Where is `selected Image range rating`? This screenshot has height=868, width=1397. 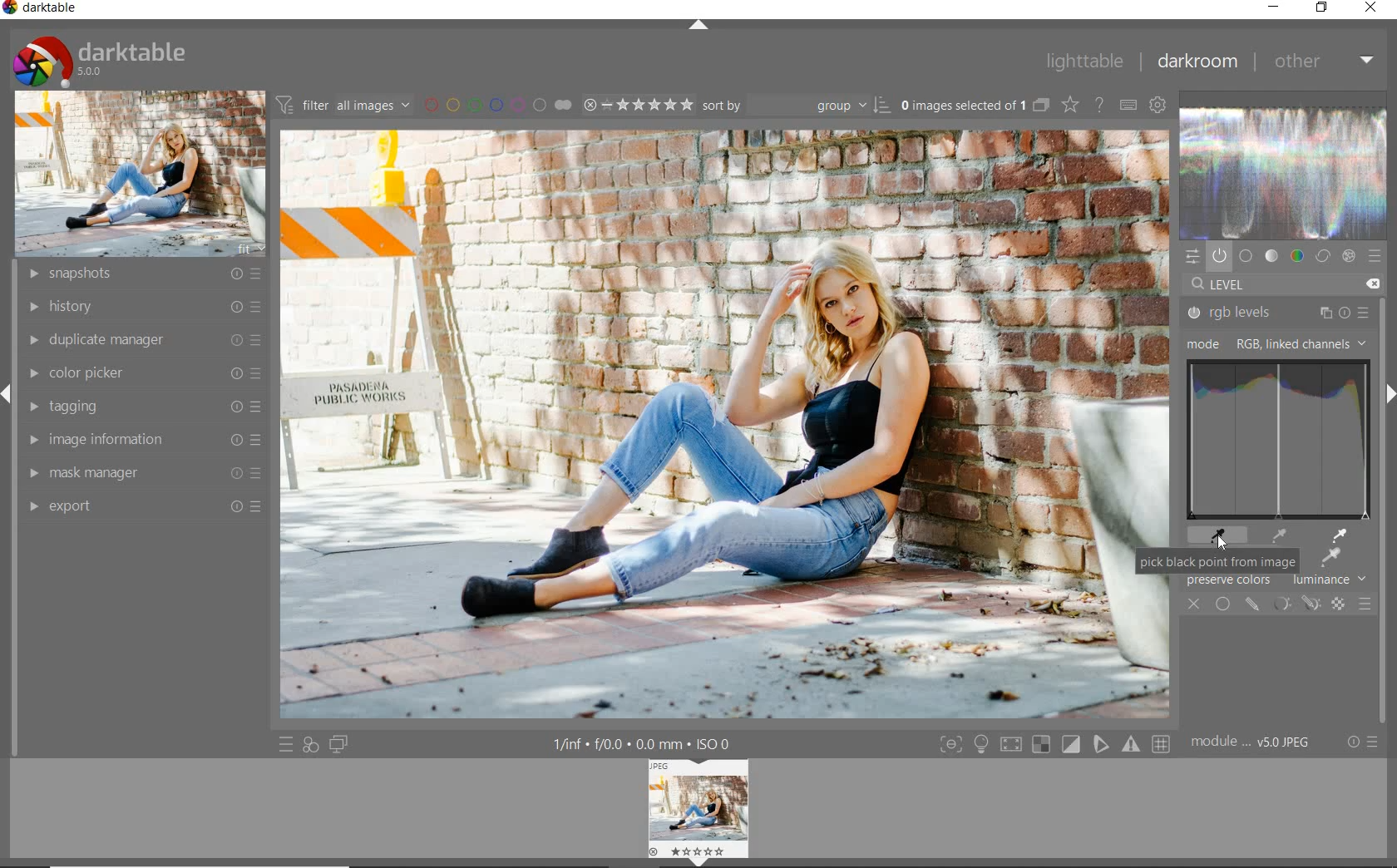 selected Image range rating is located at coordinates (638, 106).